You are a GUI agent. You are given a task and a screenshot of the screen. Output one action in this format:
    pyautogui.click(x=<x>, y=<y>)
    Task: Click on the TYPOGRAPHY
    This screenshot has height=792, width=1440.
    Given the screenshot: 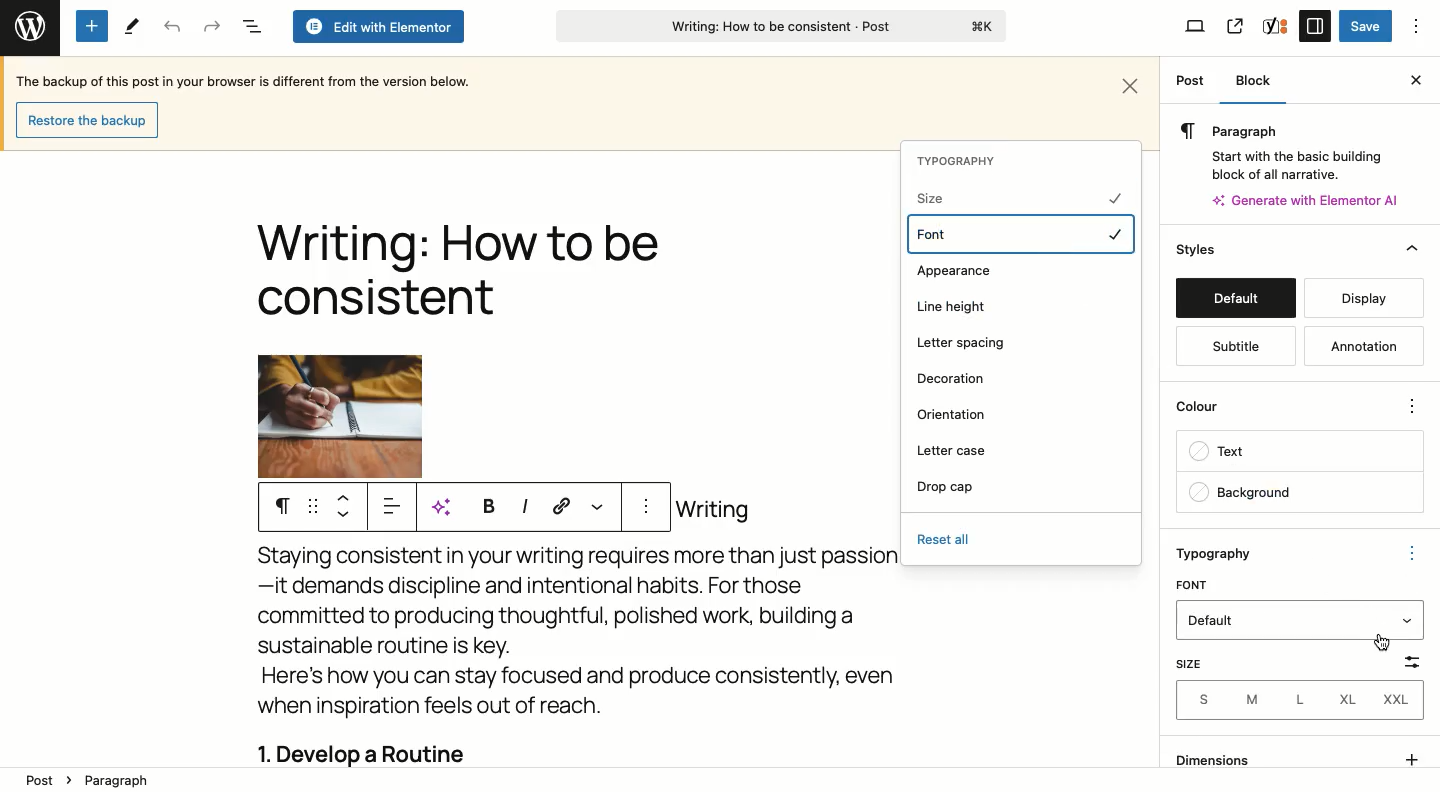 What is the action you would take?
    pyautogui.click(x=961, y=161)
    